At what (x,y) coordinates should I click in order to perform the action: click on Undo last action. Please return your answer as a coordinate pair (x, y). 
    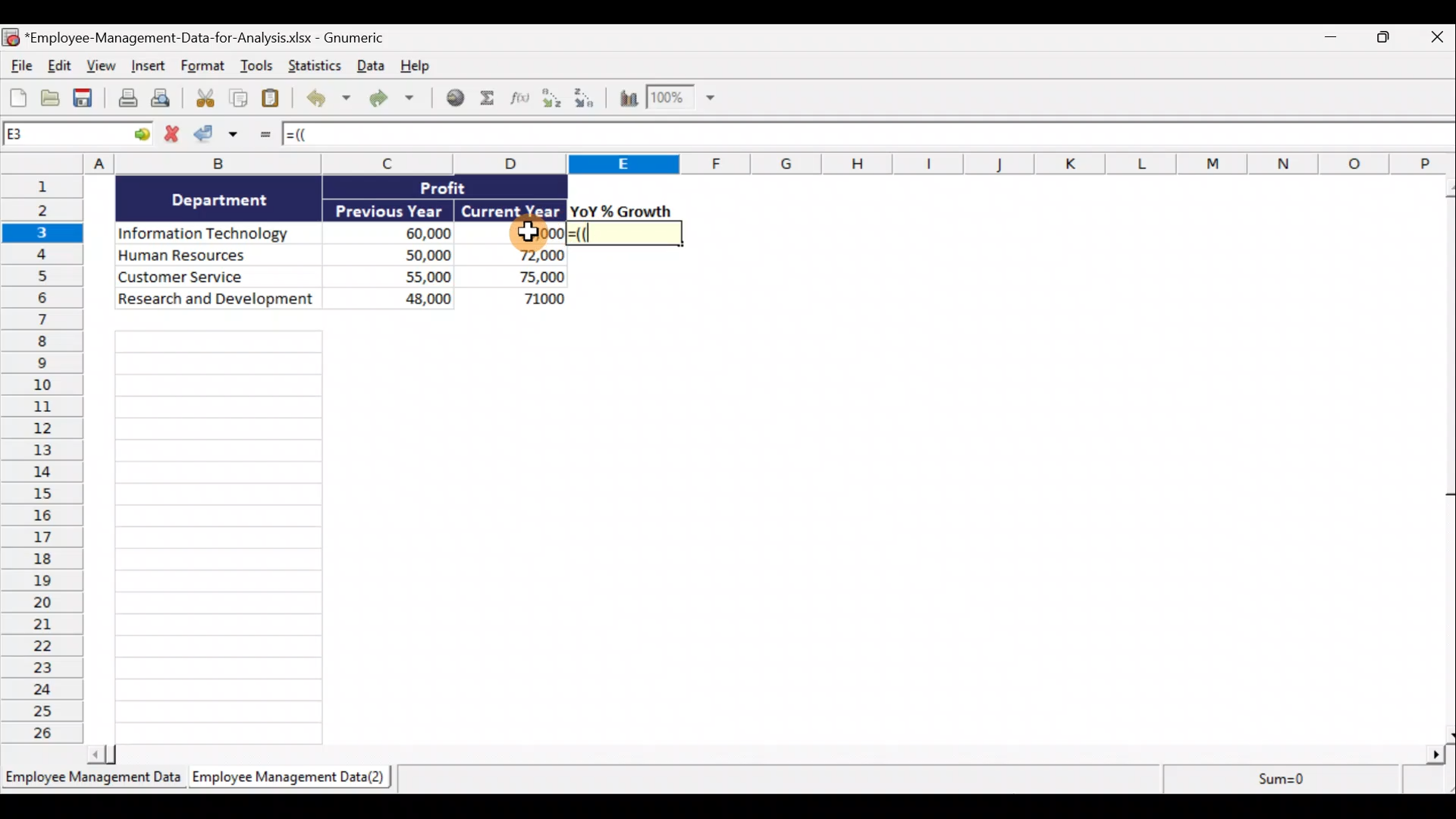
    Looking at the image, I should click on (325, 99).